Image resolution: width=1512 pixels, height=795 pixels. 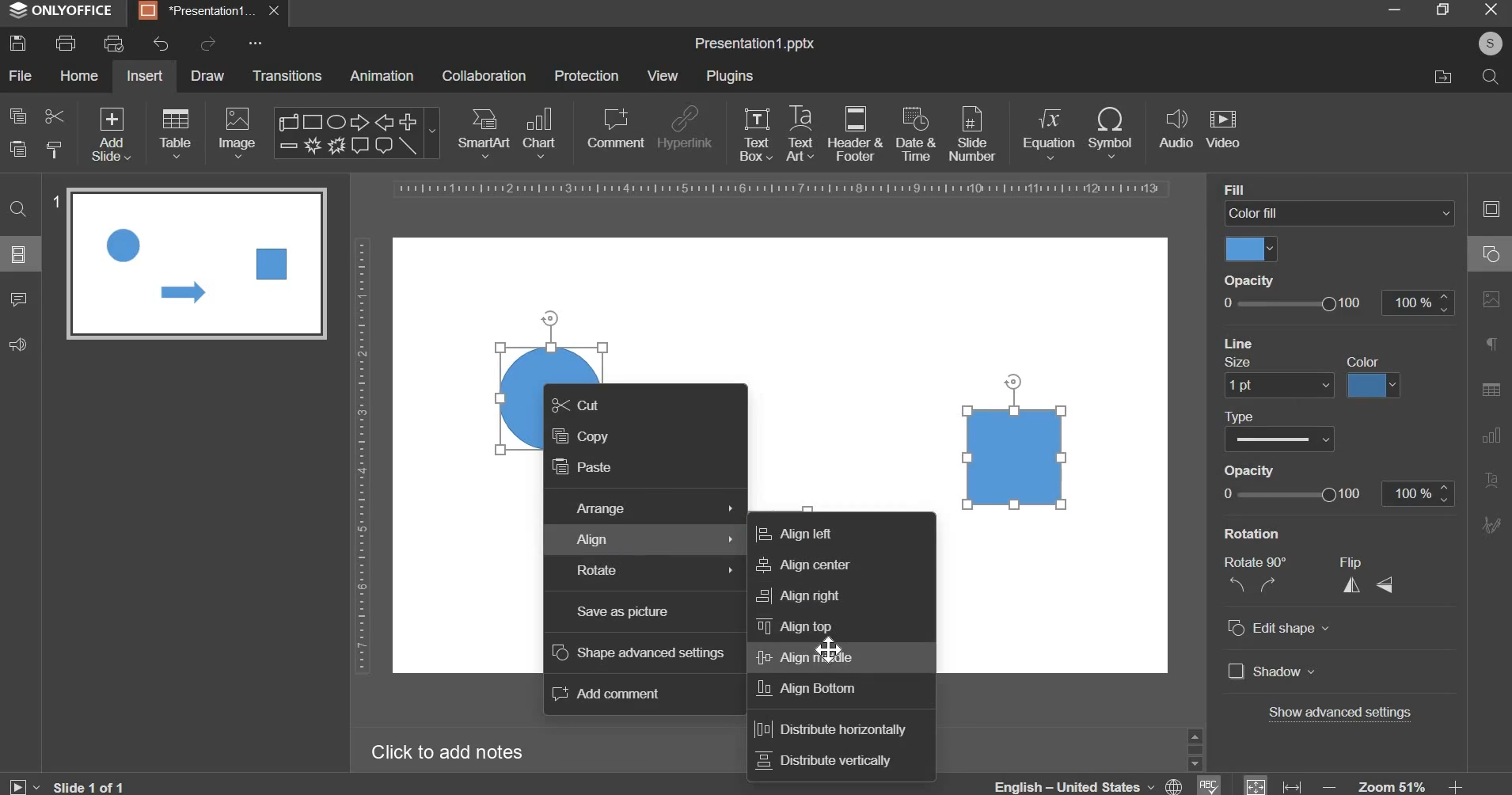 I want to click on copy, so click(x=579, y=437).